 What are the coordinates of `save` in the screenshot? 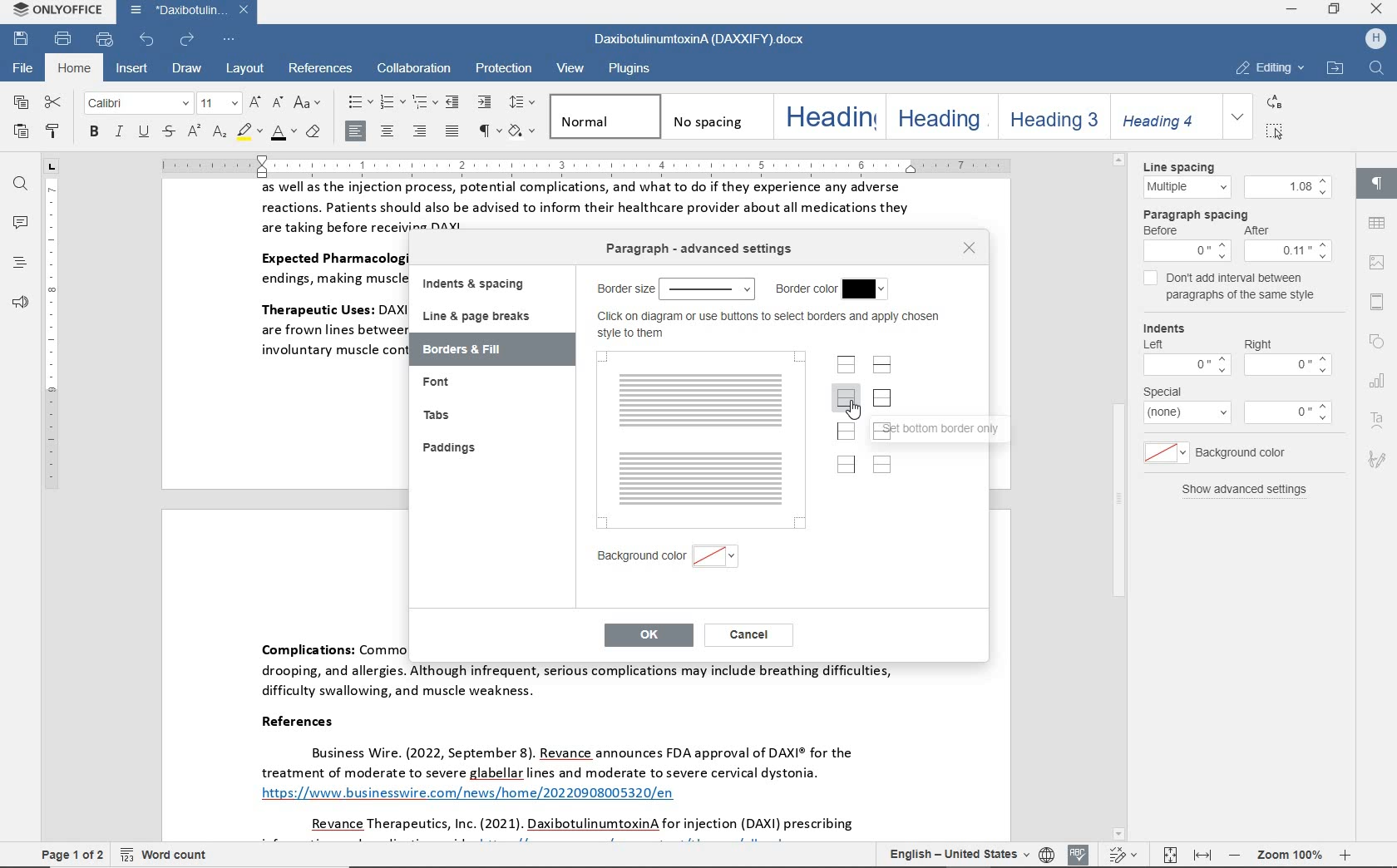 It's located at (22, 37).